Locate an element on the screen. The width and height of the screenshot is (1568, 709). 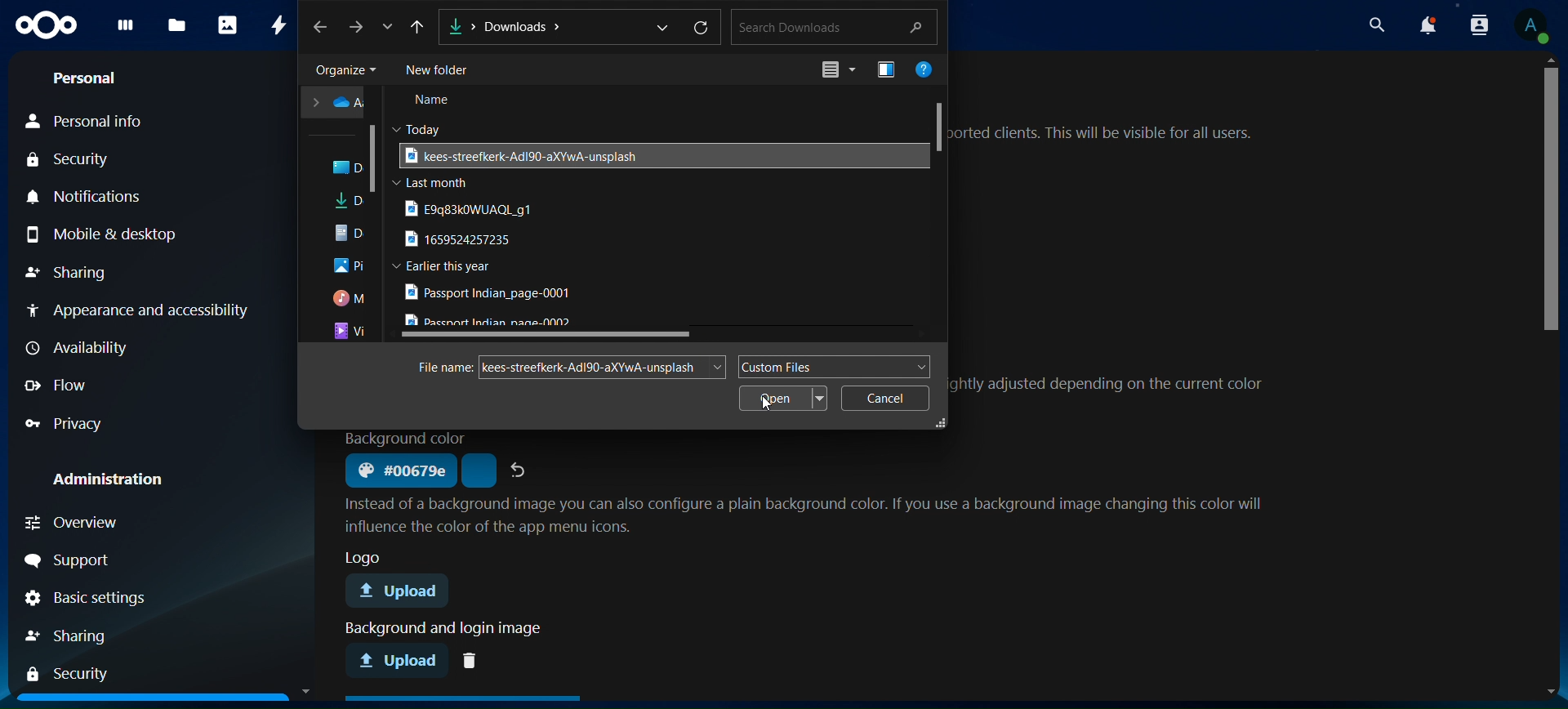
downloads is located at coordinates (555, 25).